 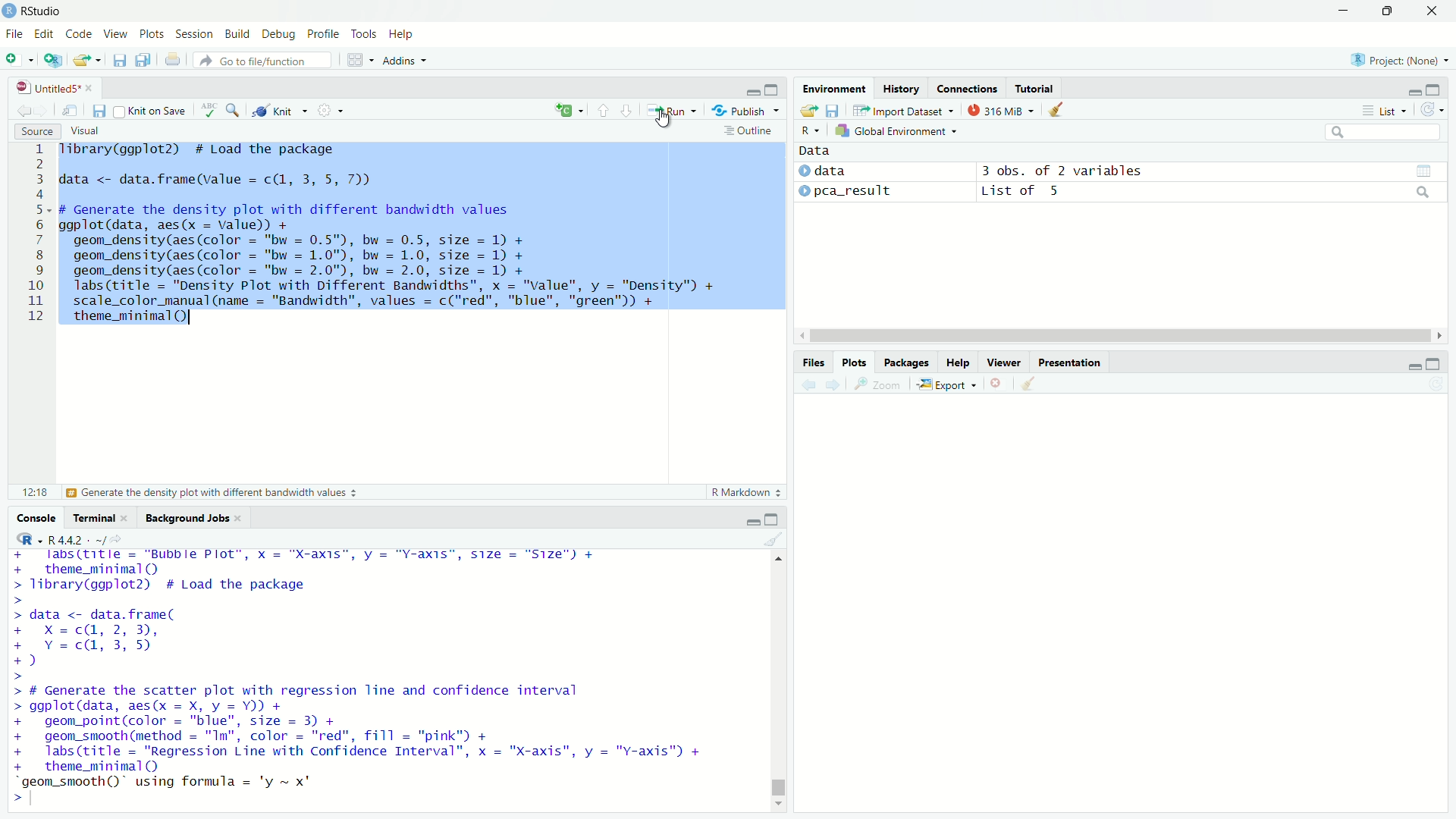 What do you see at coordinates (1069, 362) in the screenshot?
I see `Presentation` at bounding box center [1069, 362].